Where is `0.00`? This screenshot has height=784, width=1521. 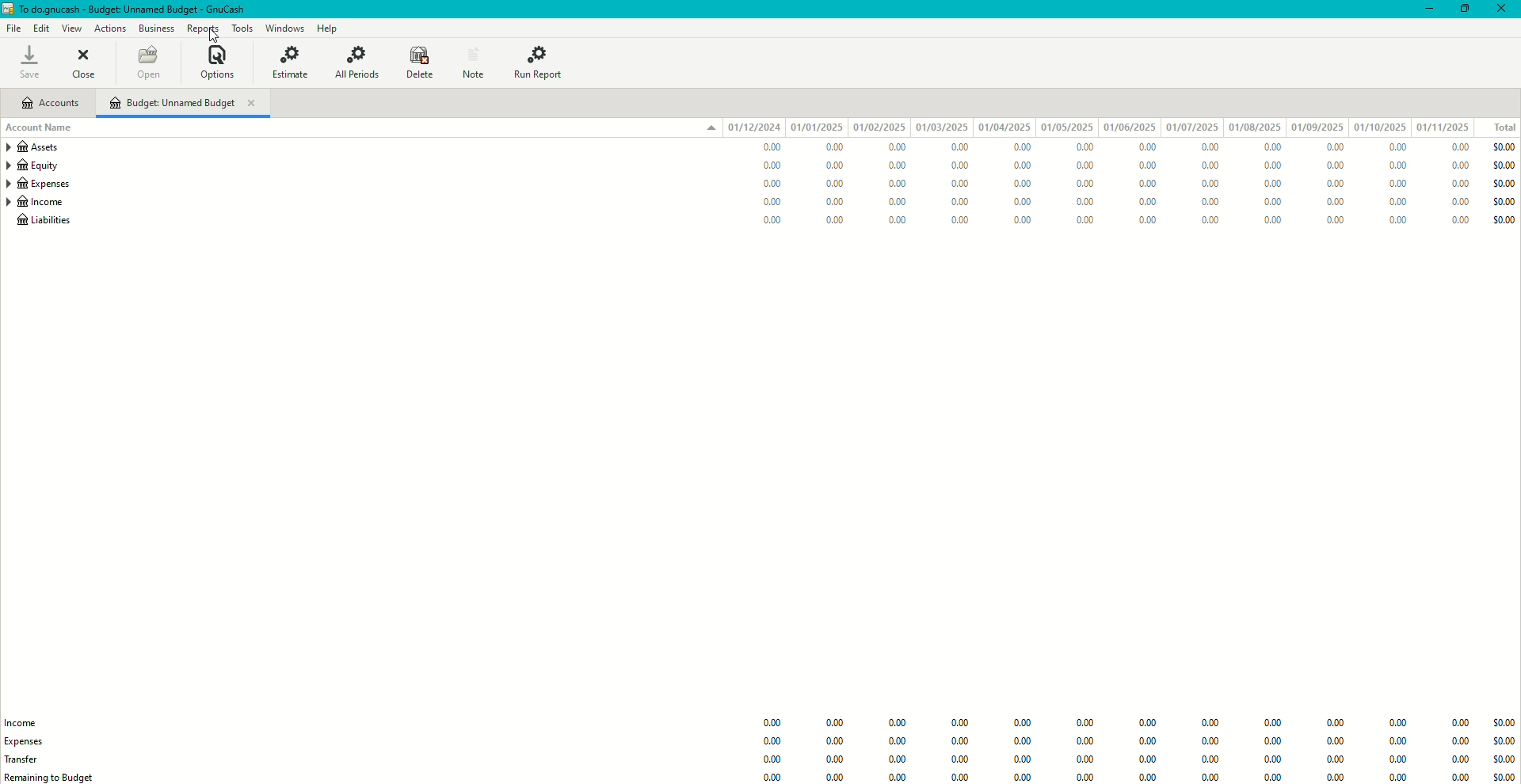 0.00 is located at coordinates (1332, 744).